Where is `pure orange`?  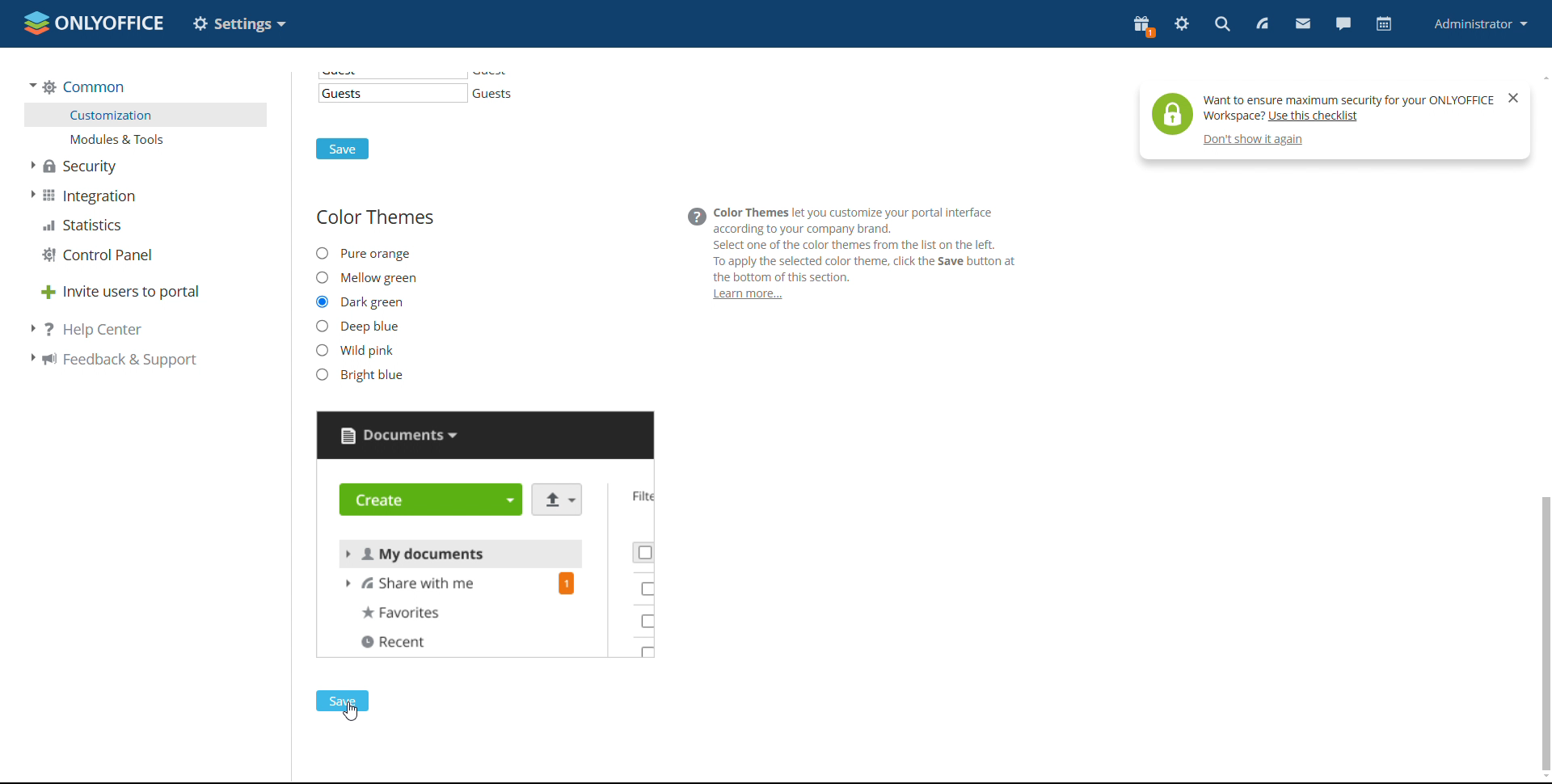 pure orange is located at coordinates (364, 254).